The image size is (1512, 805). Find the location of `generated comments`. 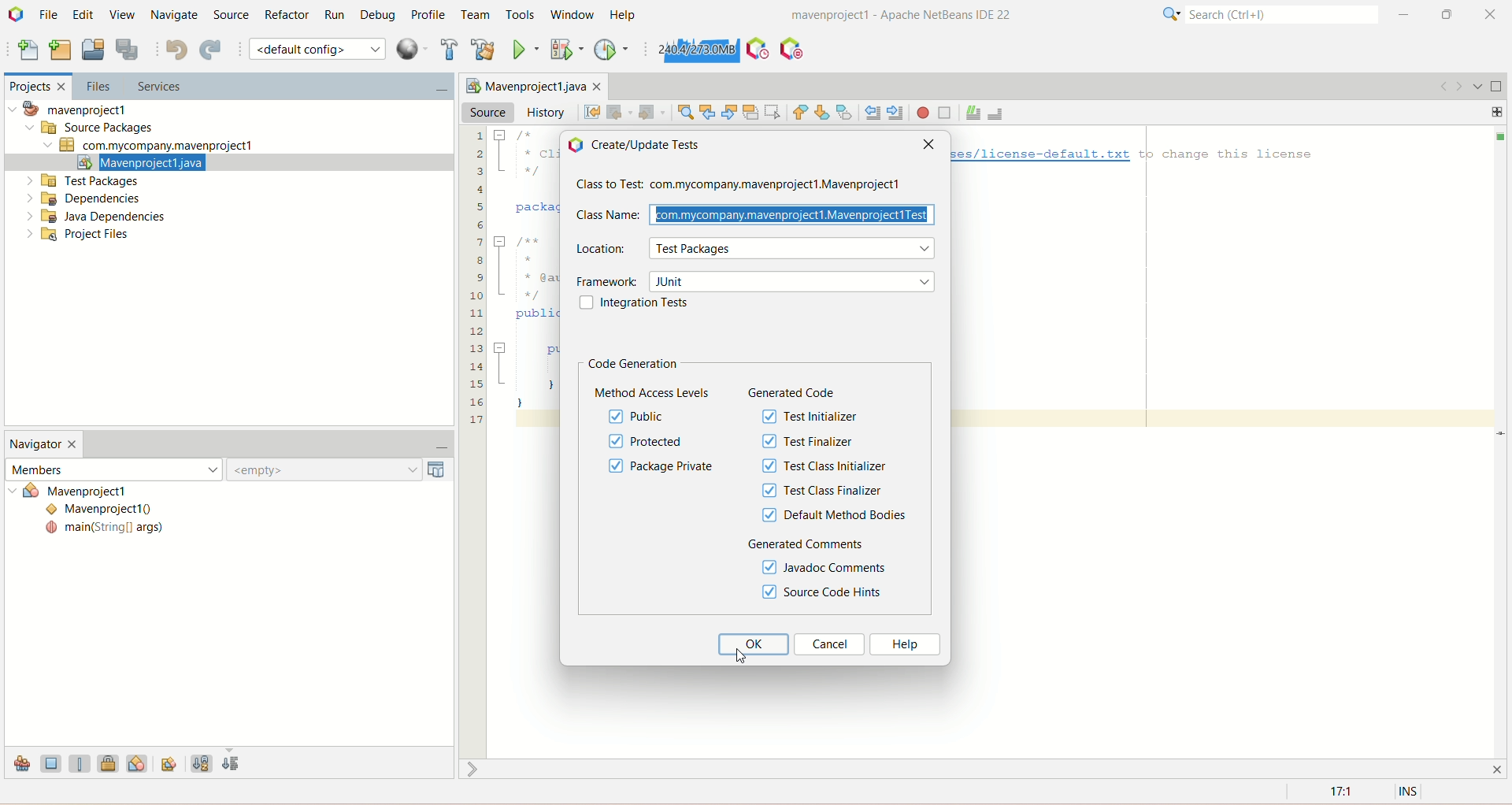

generated comments is located at coordinates (812, 547).